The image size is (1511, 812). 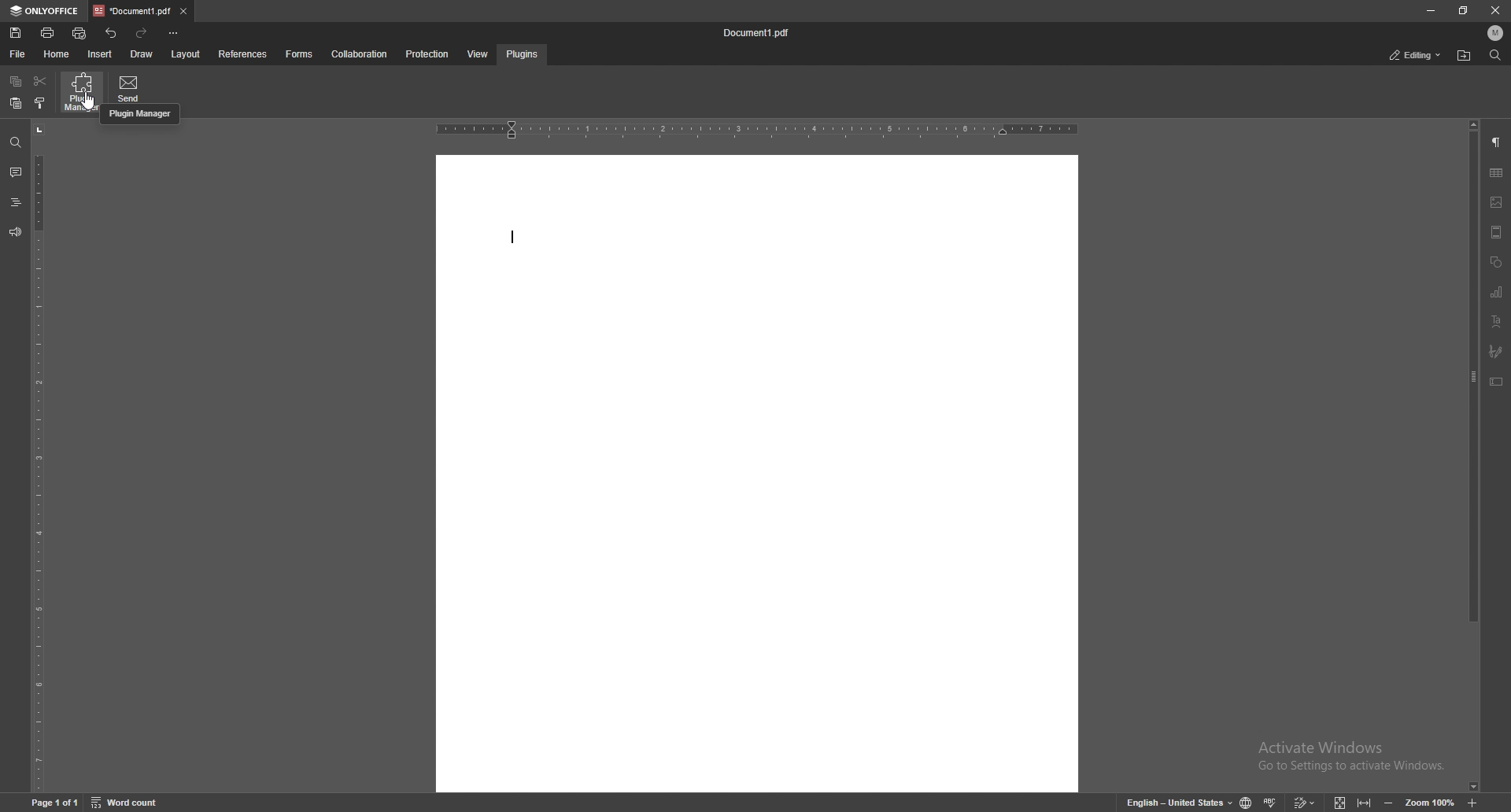 What do you see at coordinates (478, 55) in the screenshot?
I see `view` at bounding box center [478, 55].